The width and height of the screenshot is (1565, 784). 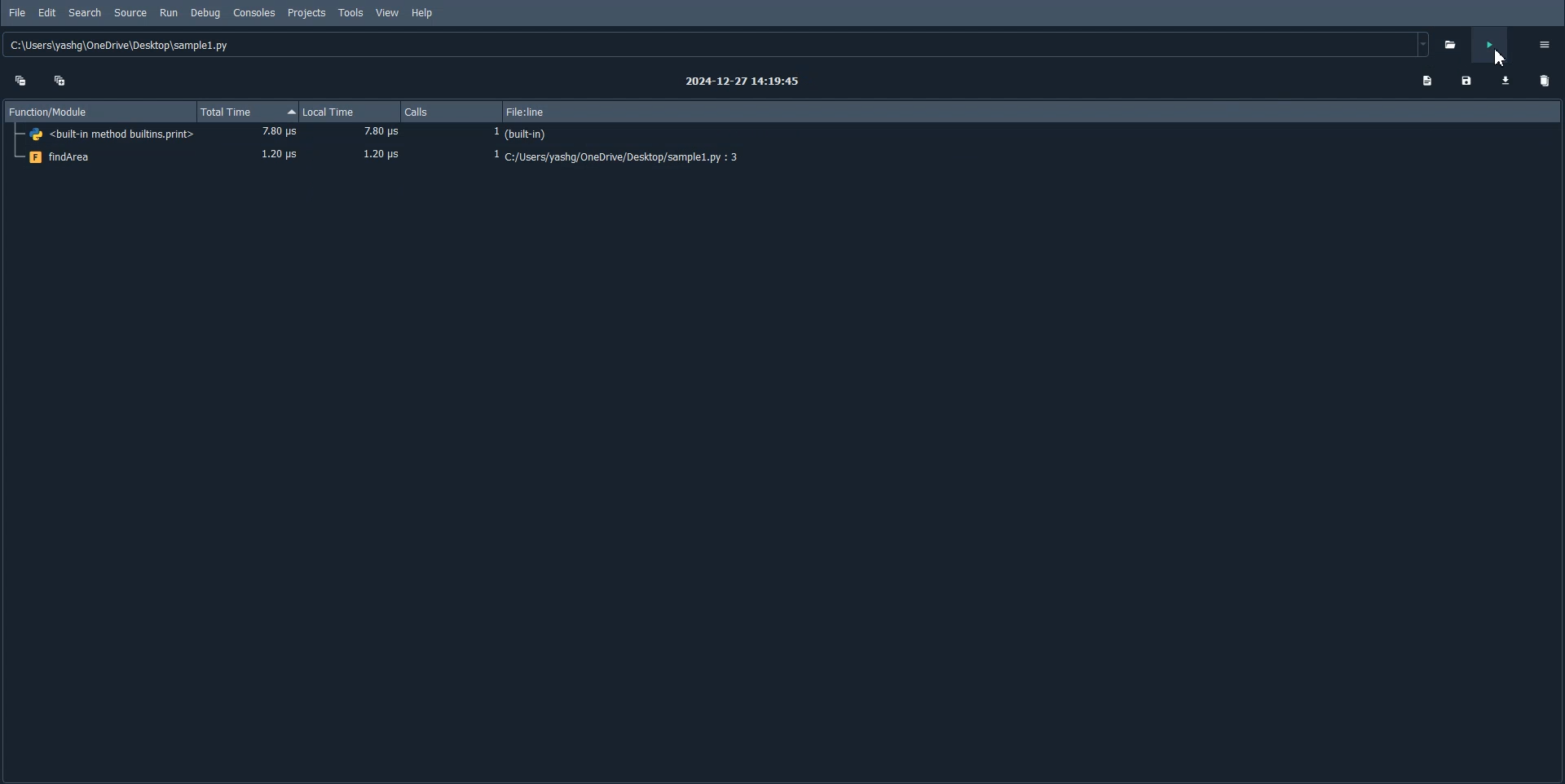 What do you see at coordinates (1545, 44) in the screenshot?
I see `Options` at bounding box center [1545, 44].